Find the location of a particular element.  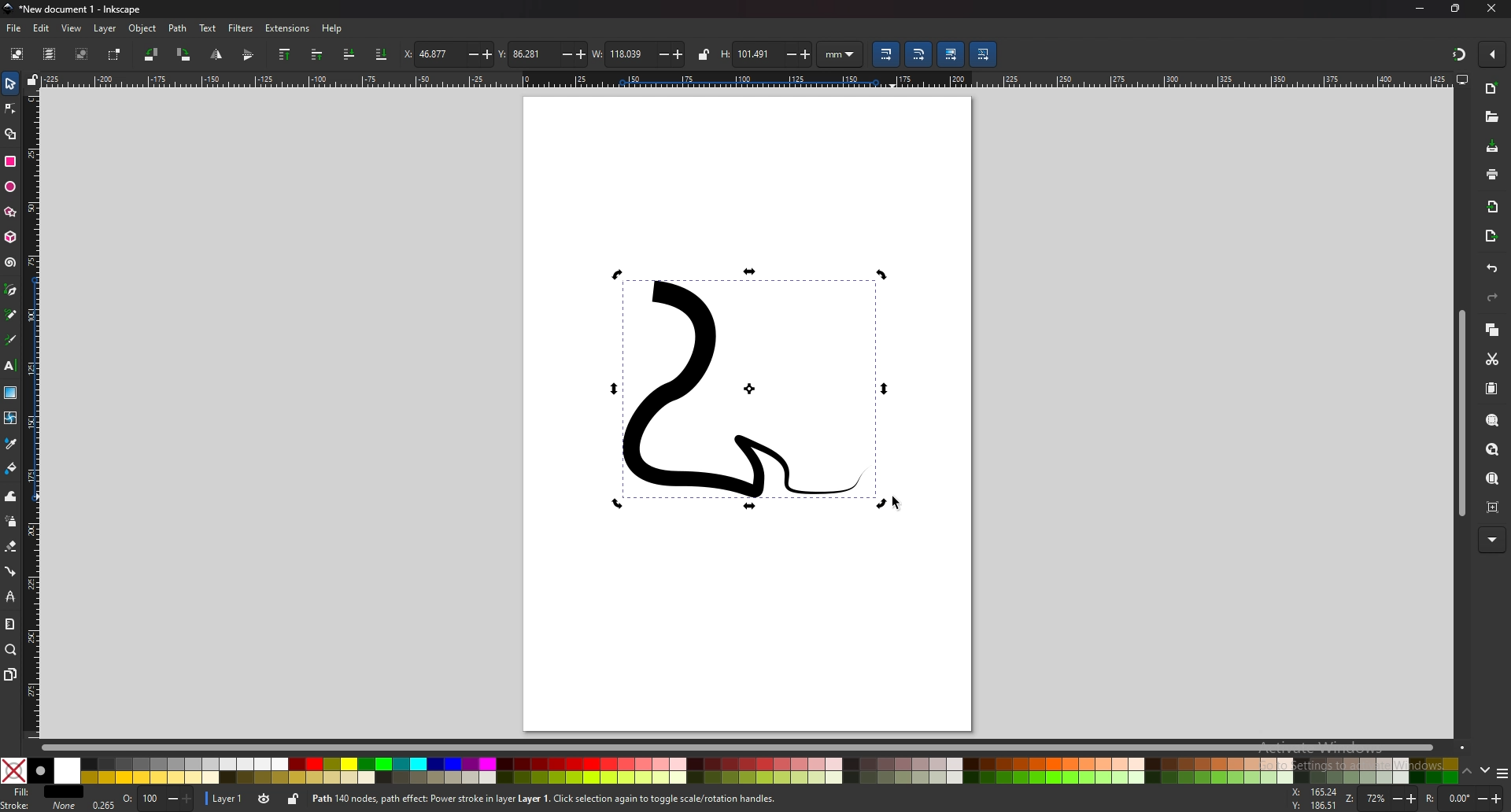

save is located at coordinates (1494, 147).